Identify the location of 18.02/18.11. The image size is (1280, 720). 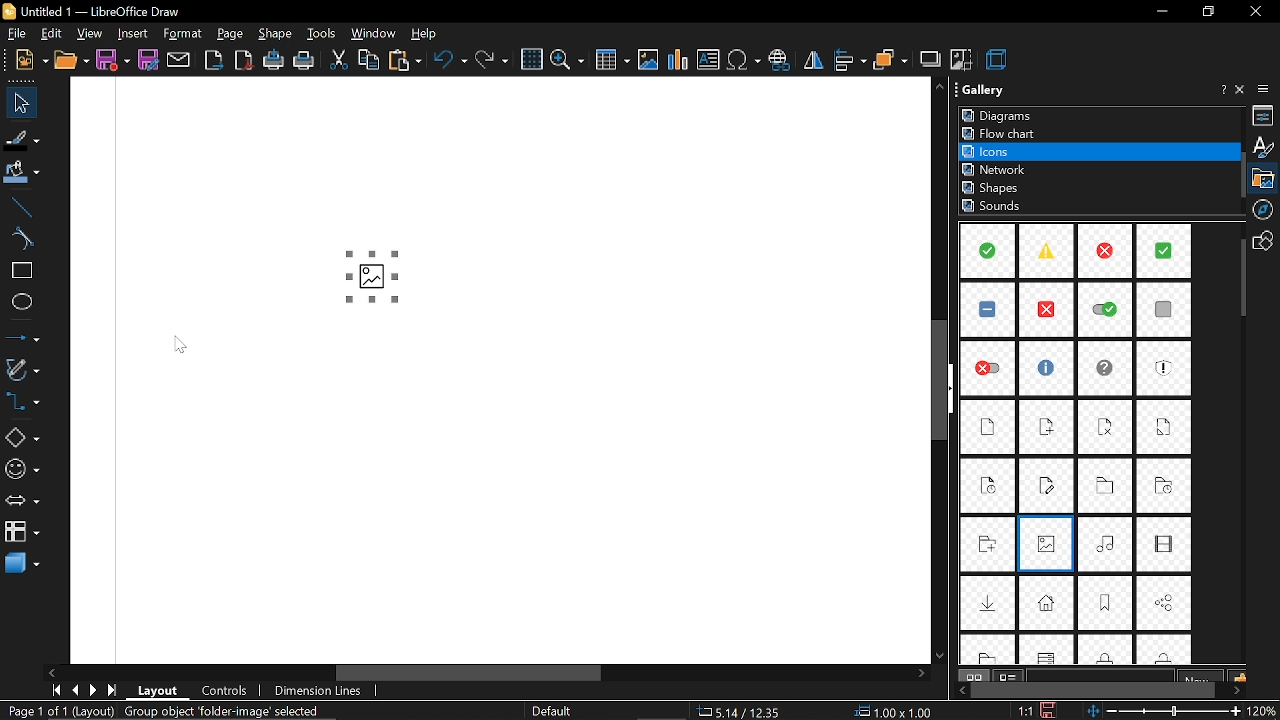
(746, 712).